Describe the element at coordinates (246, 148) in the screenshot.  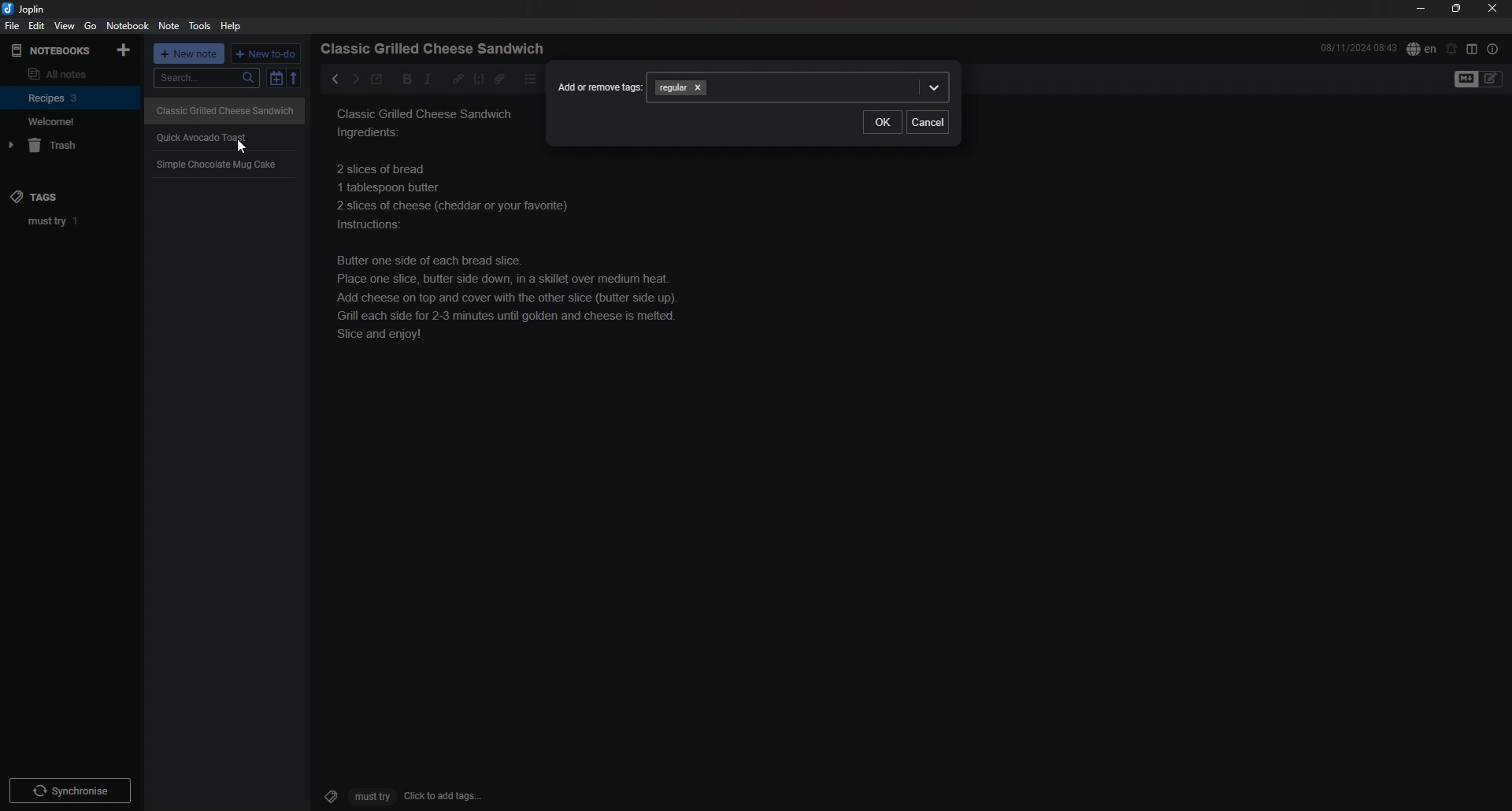
I see `cursor` at that location.